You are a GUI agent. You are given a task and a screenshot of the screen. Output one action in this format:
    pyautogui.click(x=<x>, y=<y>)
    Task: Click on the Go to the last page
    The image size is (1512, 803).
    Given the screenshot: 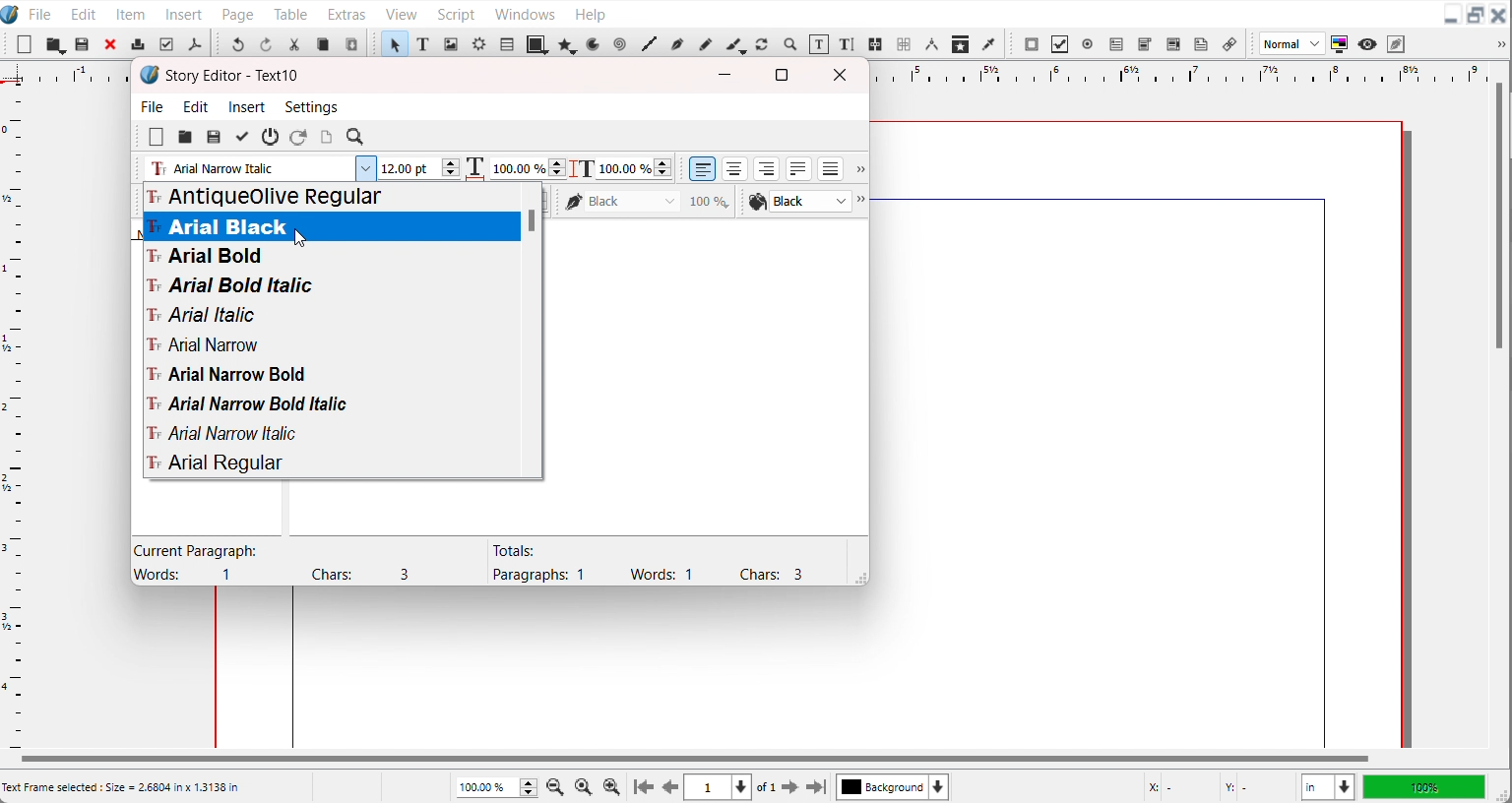 What is the action you would take?
    pyautogui.click(x=816, y=787)
    